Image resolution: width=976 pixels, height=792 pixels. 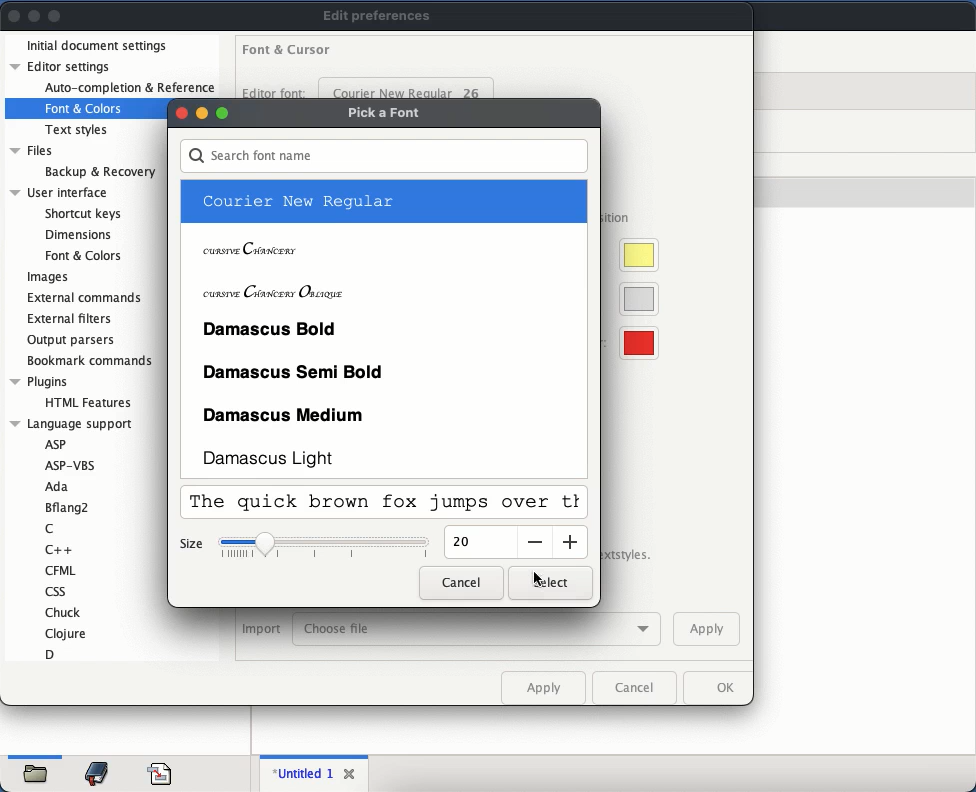 What do you see at coordinates (276, 92) in the screenshot?
I see `editor font` at bounding box center [276, 92].